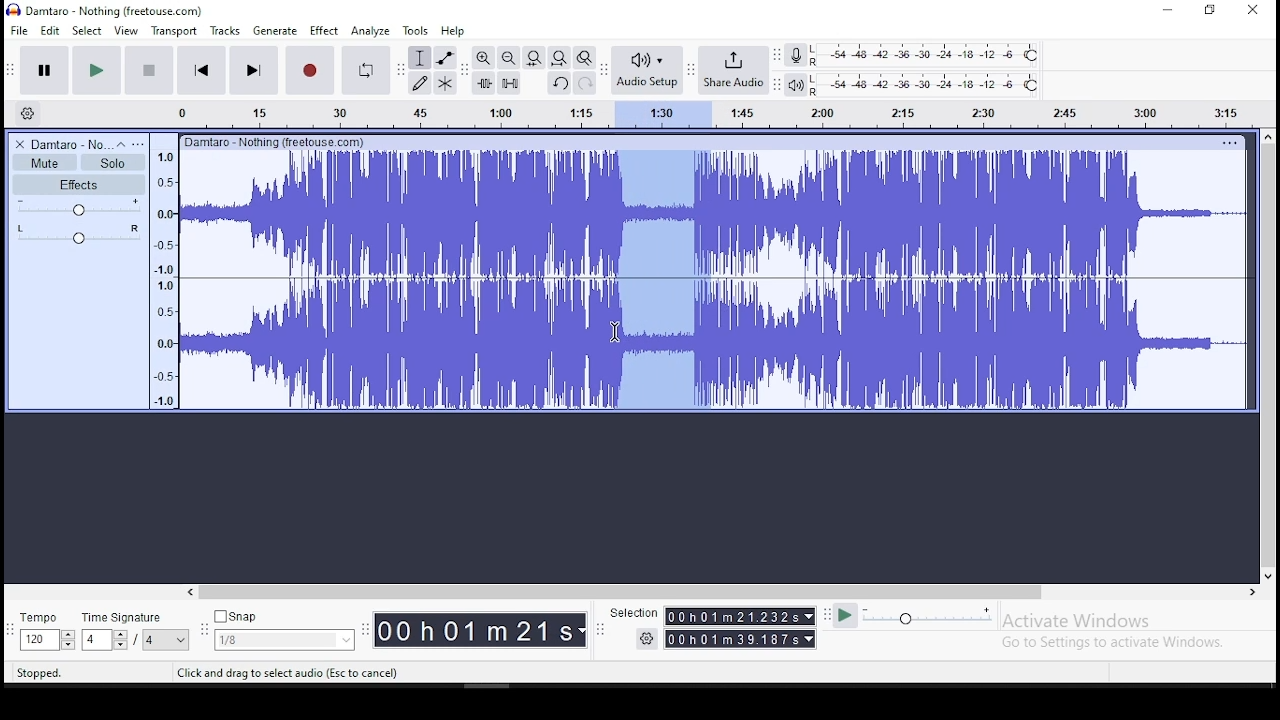 The height and width of the screenshot is (720, 1280). I want to click on , so click(203, 629).